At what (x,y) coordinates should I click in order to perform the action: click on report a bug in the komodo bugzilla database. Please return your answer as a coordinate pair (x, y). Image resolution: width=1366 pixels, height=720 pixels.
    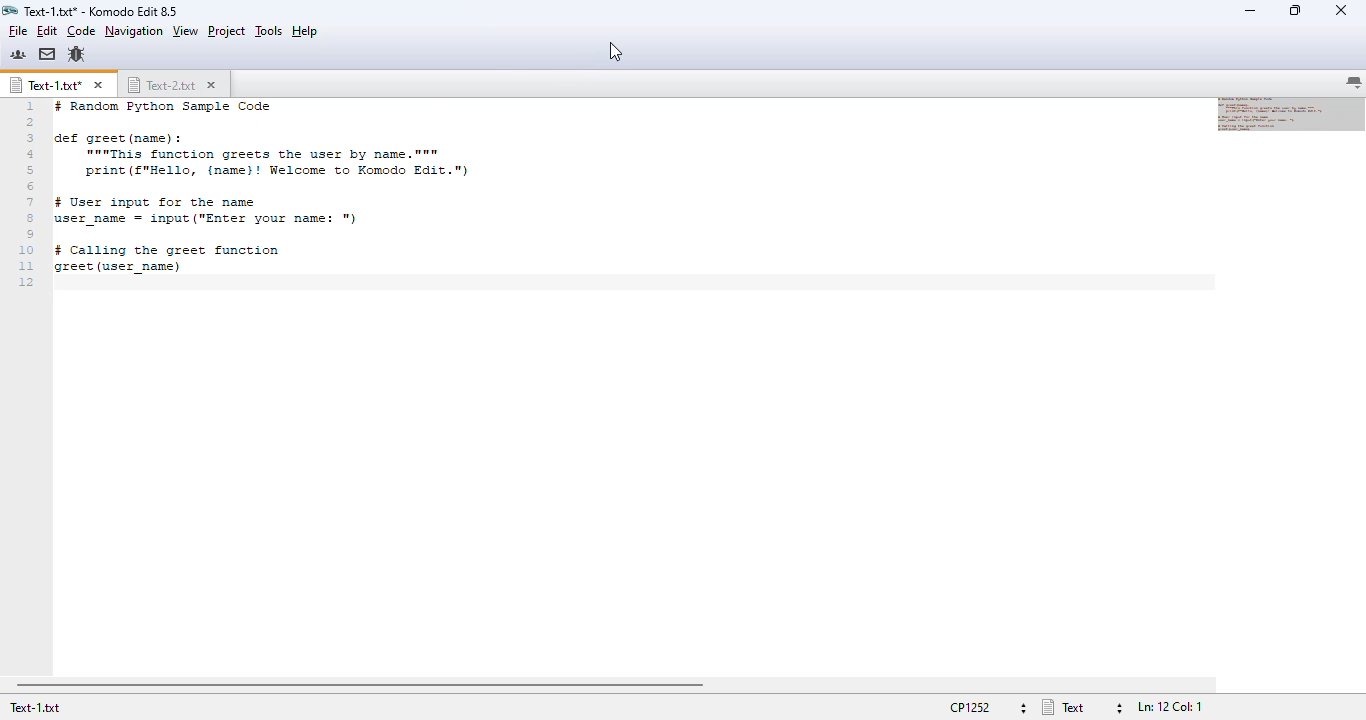
    Looking at the image, I should click on (76, 55).